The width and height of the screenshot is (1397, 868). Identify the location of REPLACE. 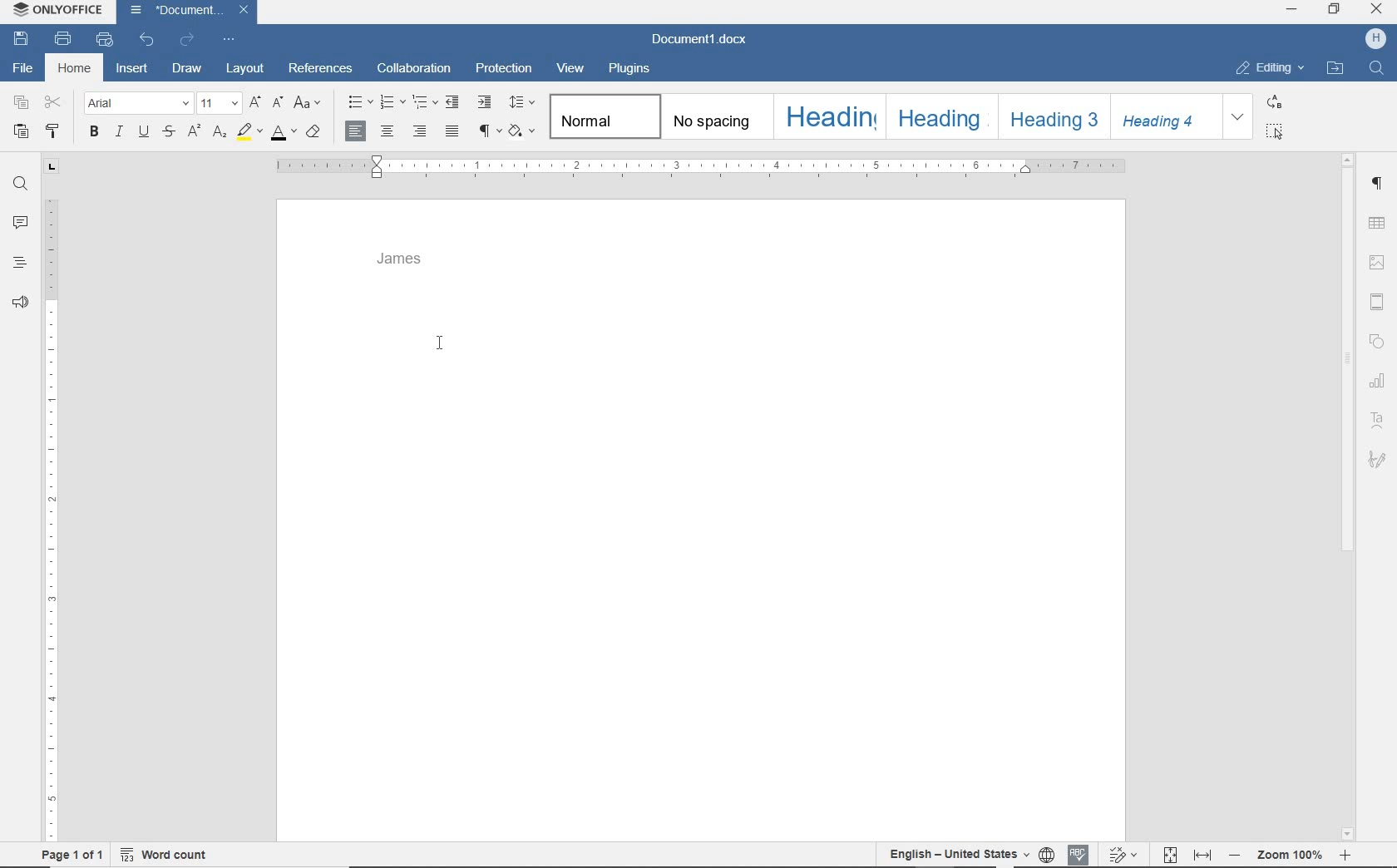
(1274, 104).